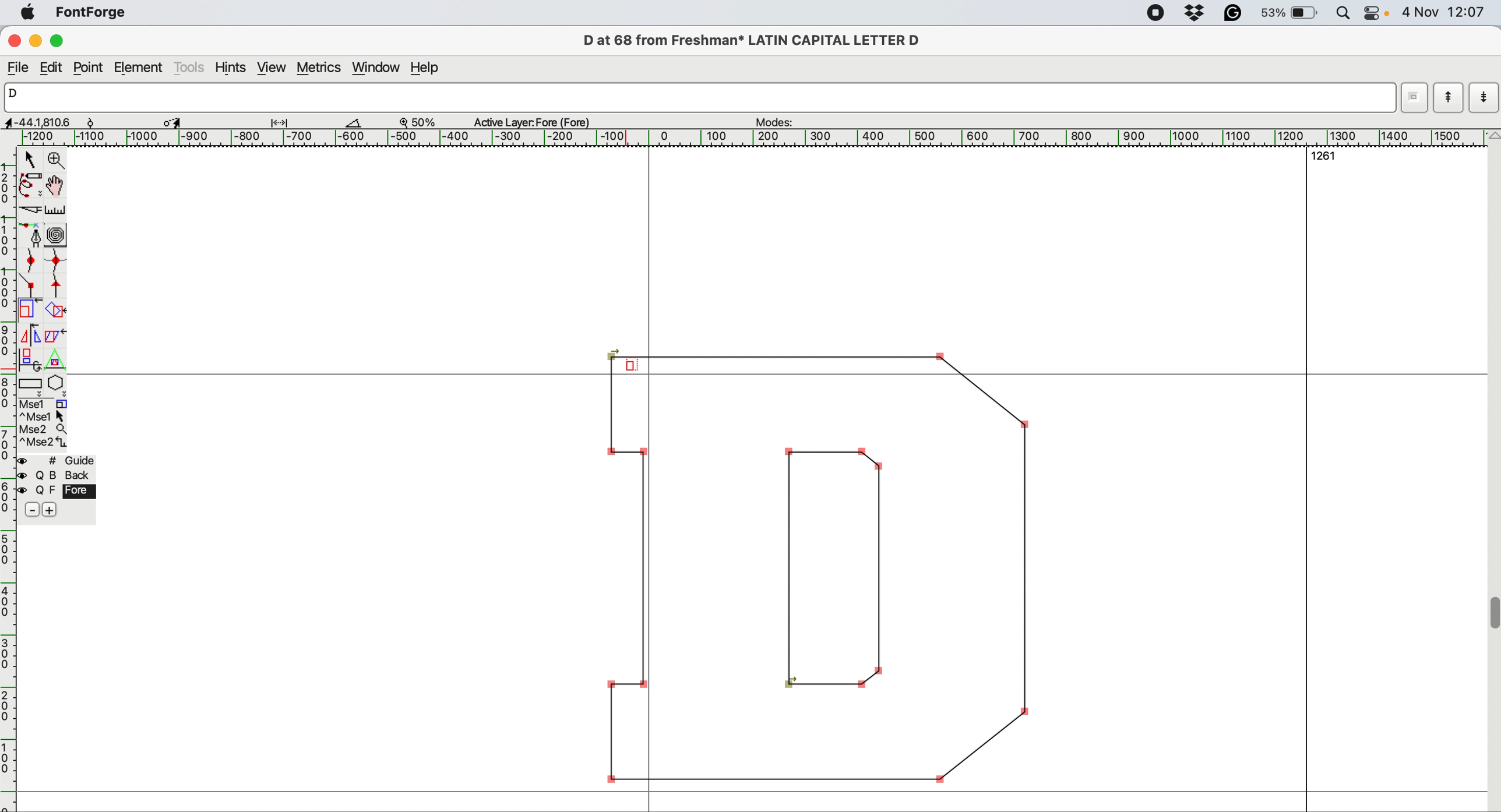  What do you see at coordinates (28, 262) in the screenshot?
I see `add a curve point` at bounding box center [28, 262].